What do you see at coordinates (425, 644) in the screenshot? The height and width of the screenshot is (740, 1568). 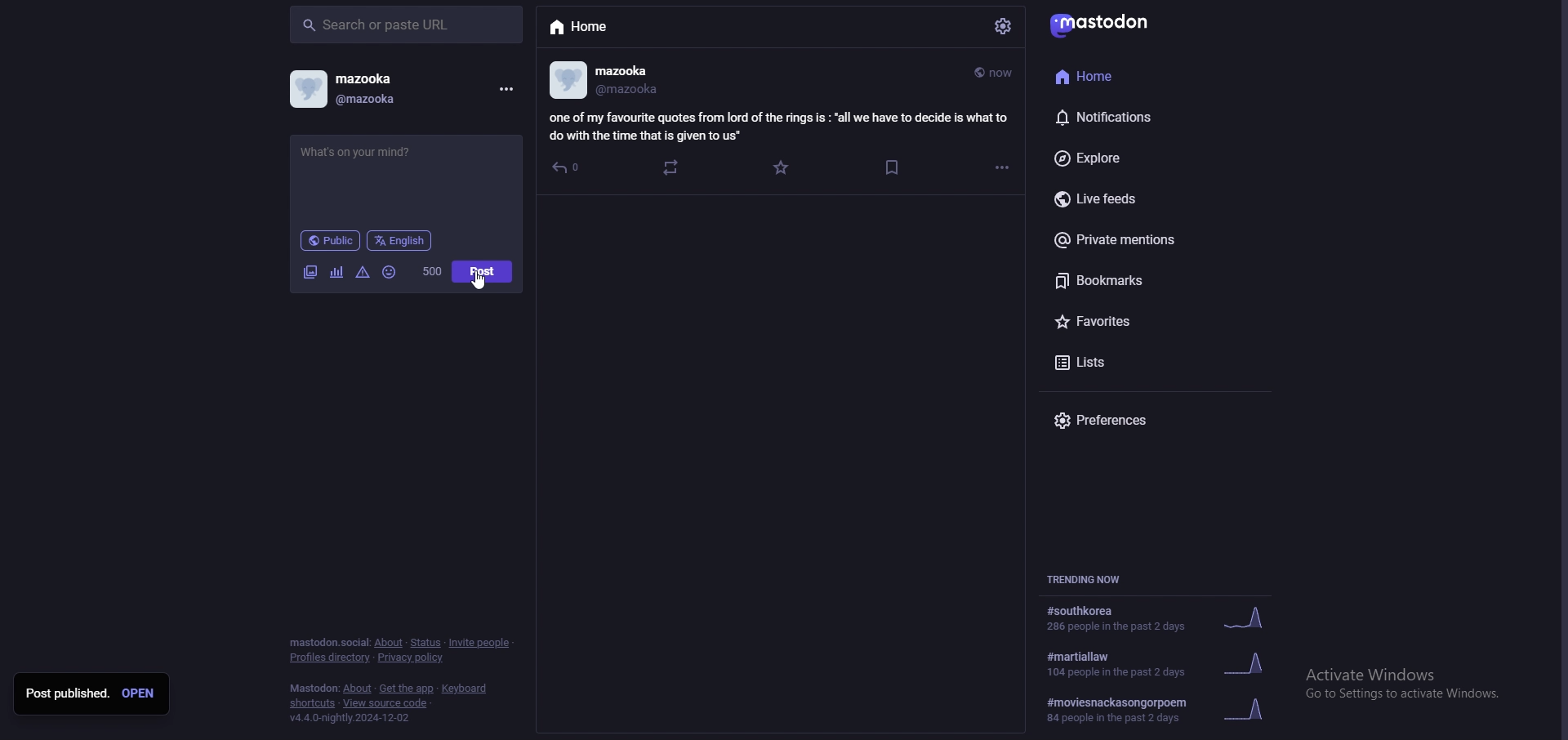 I see `status` at bounding box center [425, 644].